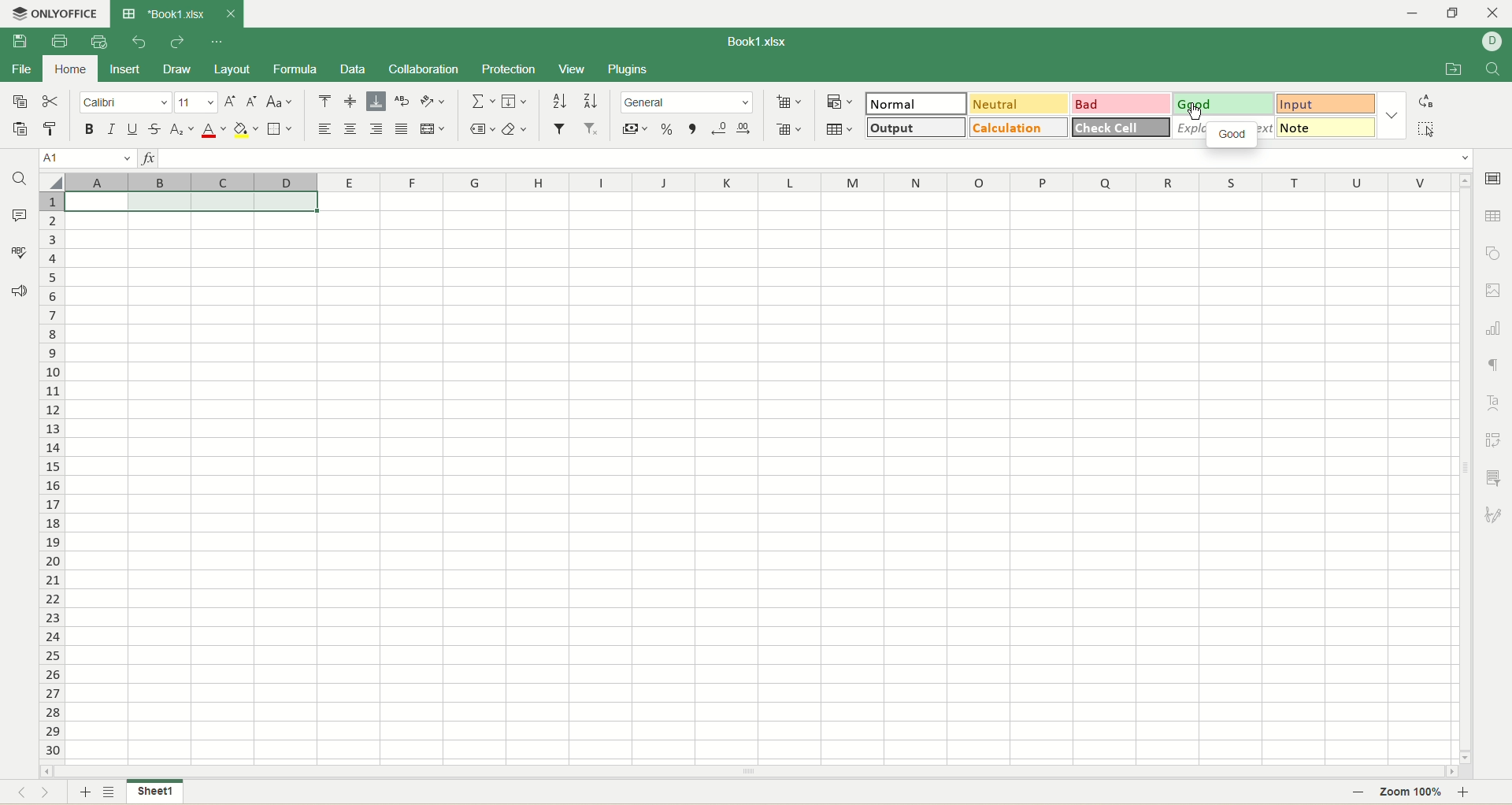  Describe the element at coordinates (157, 128) in the screenshot. I see `strikethrough` at that location.